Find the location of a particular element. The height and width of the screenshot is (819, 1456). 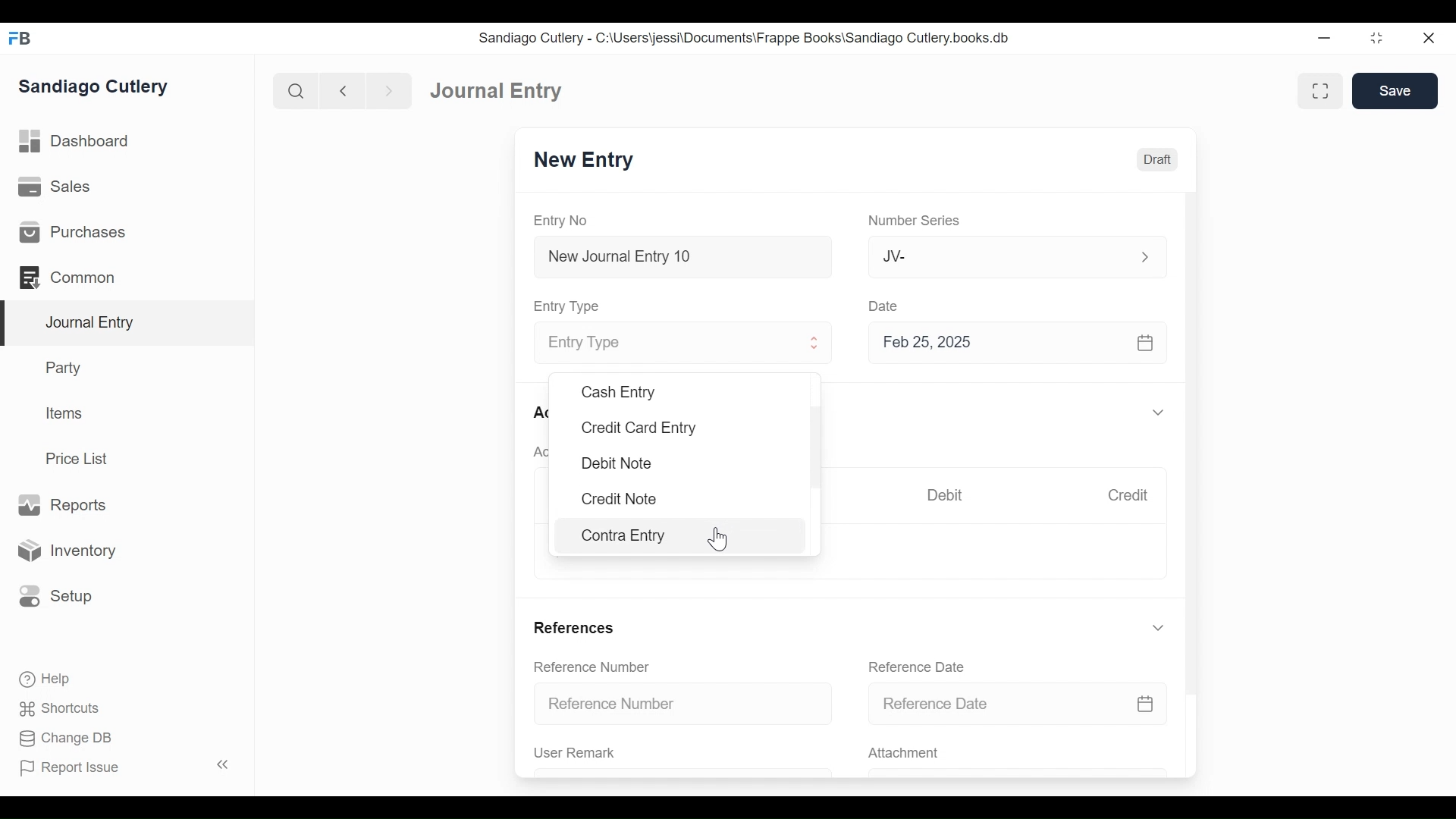

Shortcuts is located at coordinates (55, 708).